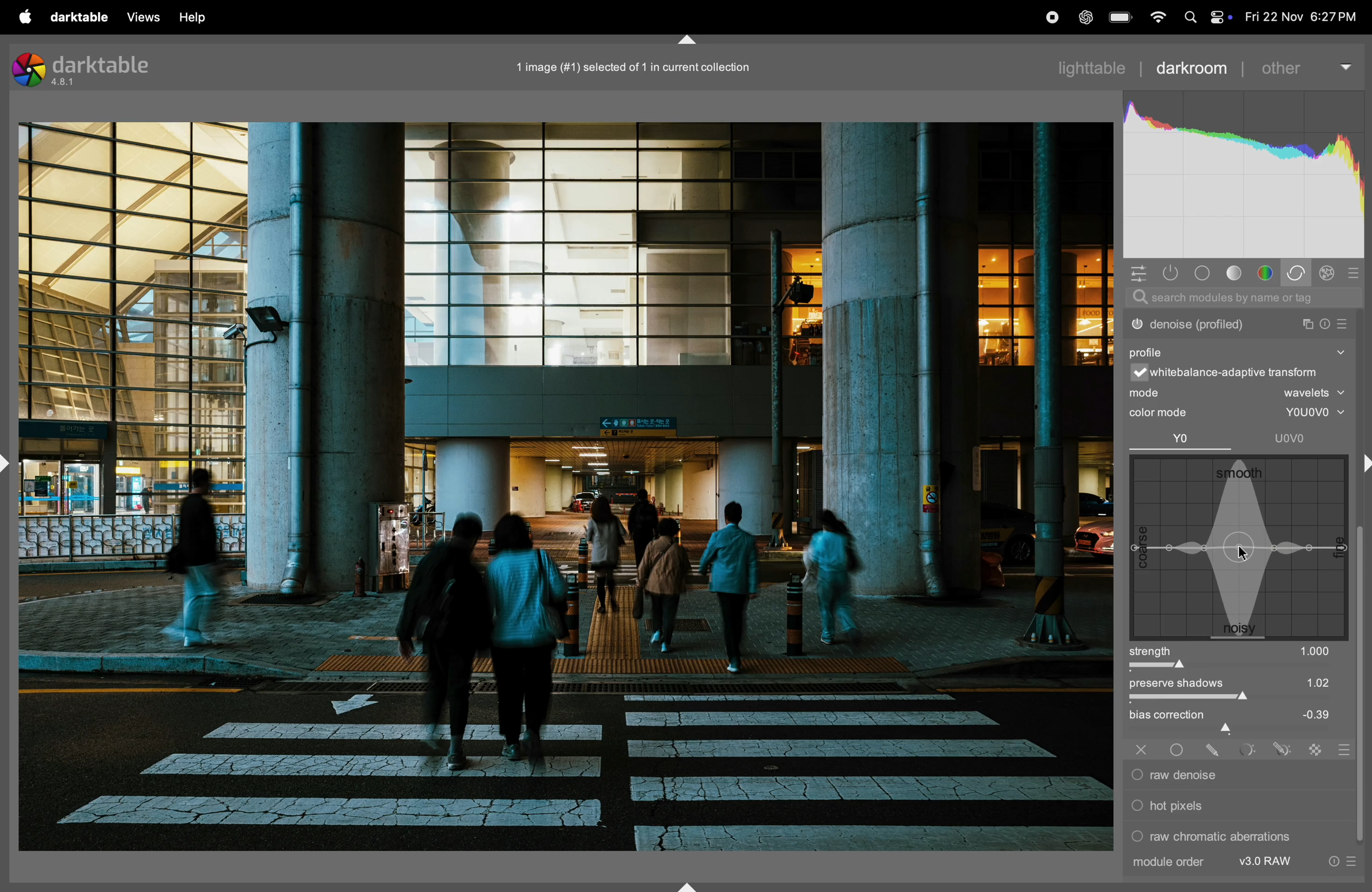 This screenshot has width=1372, height=892. I want to click on wifi, so click(1157, 18).